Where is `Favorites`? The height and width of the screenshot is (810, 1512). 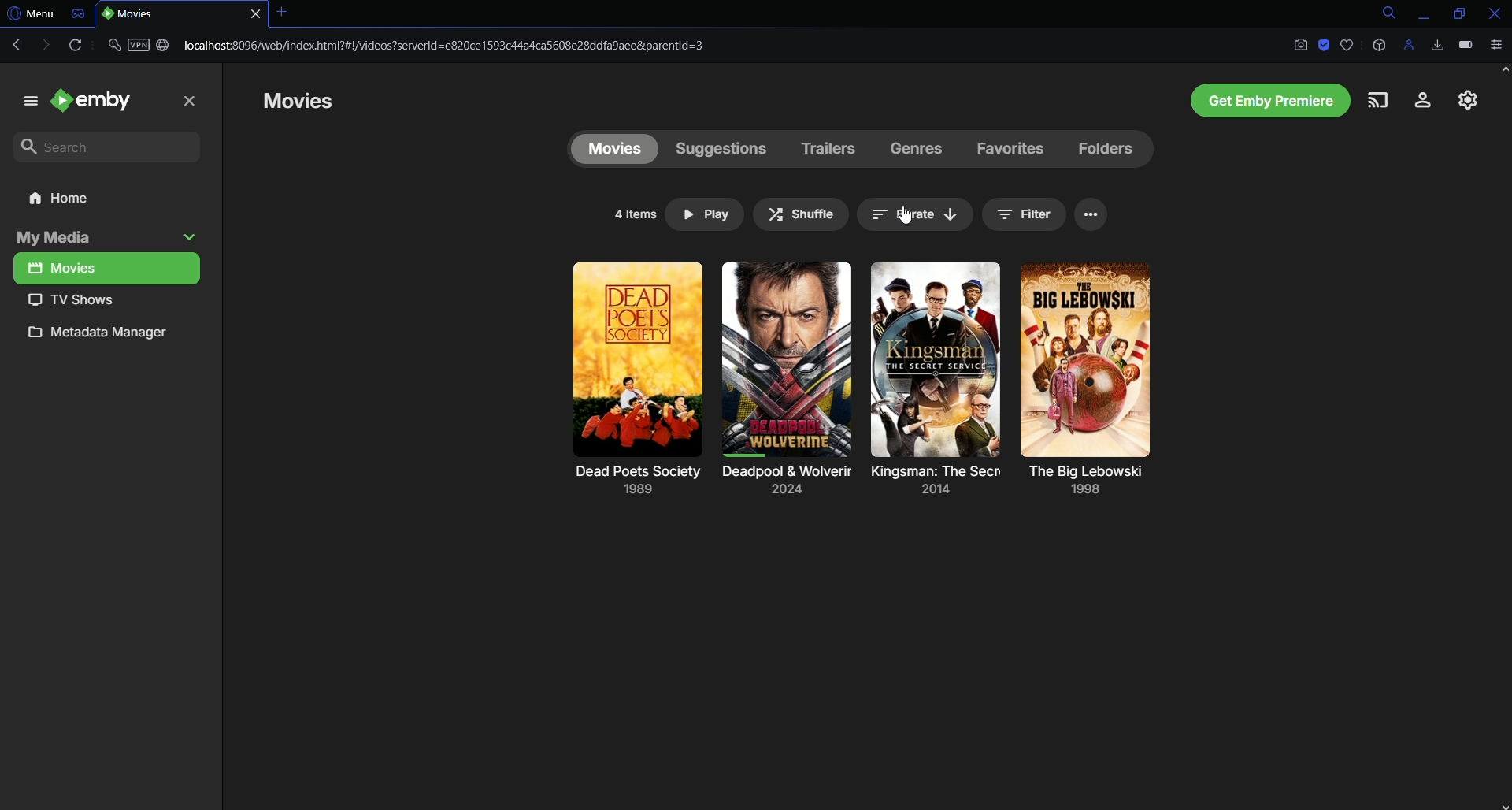
Favorites is located at coordinates (1006, 150).